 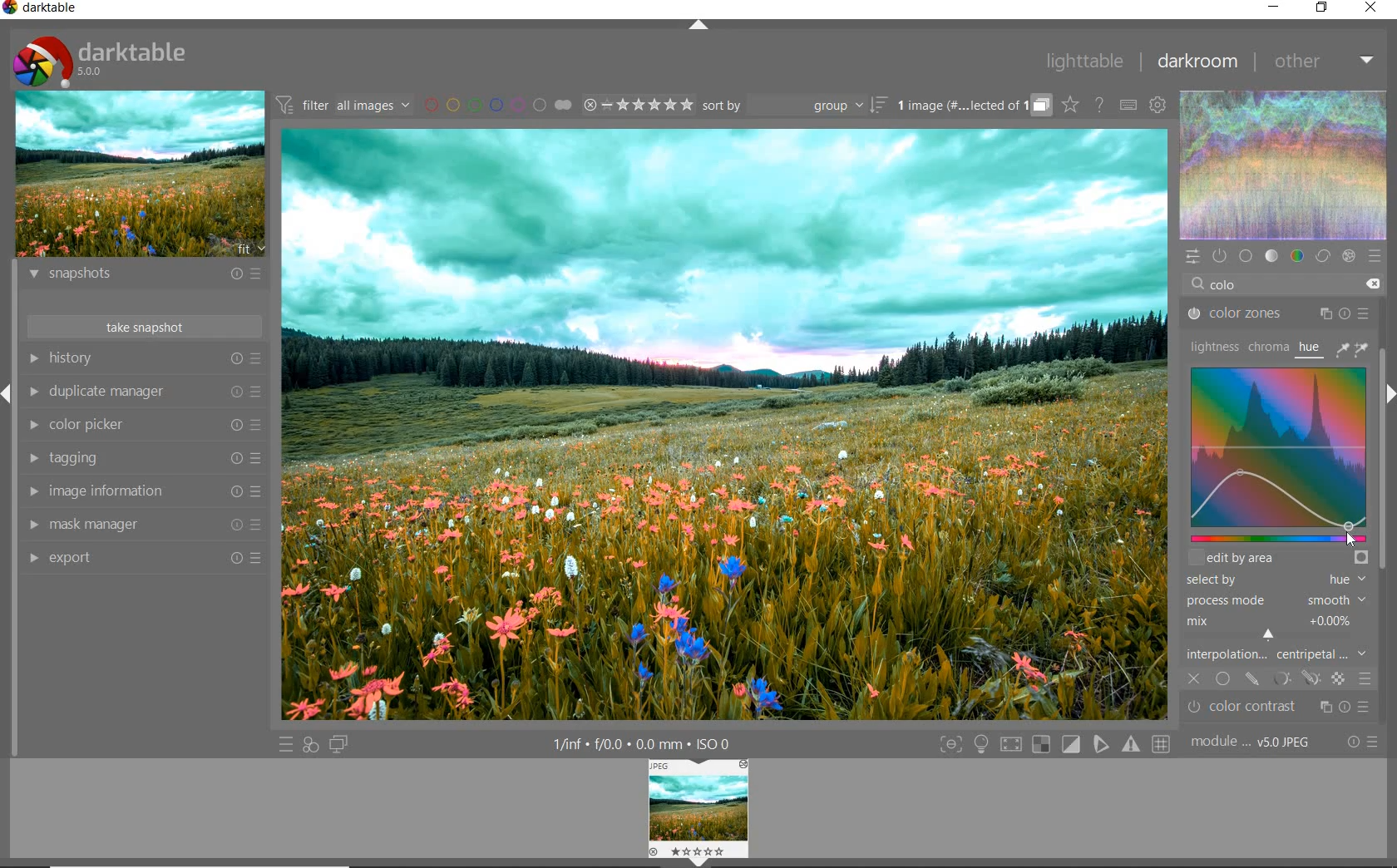 I want to click on history, so click(x=143, y=358).